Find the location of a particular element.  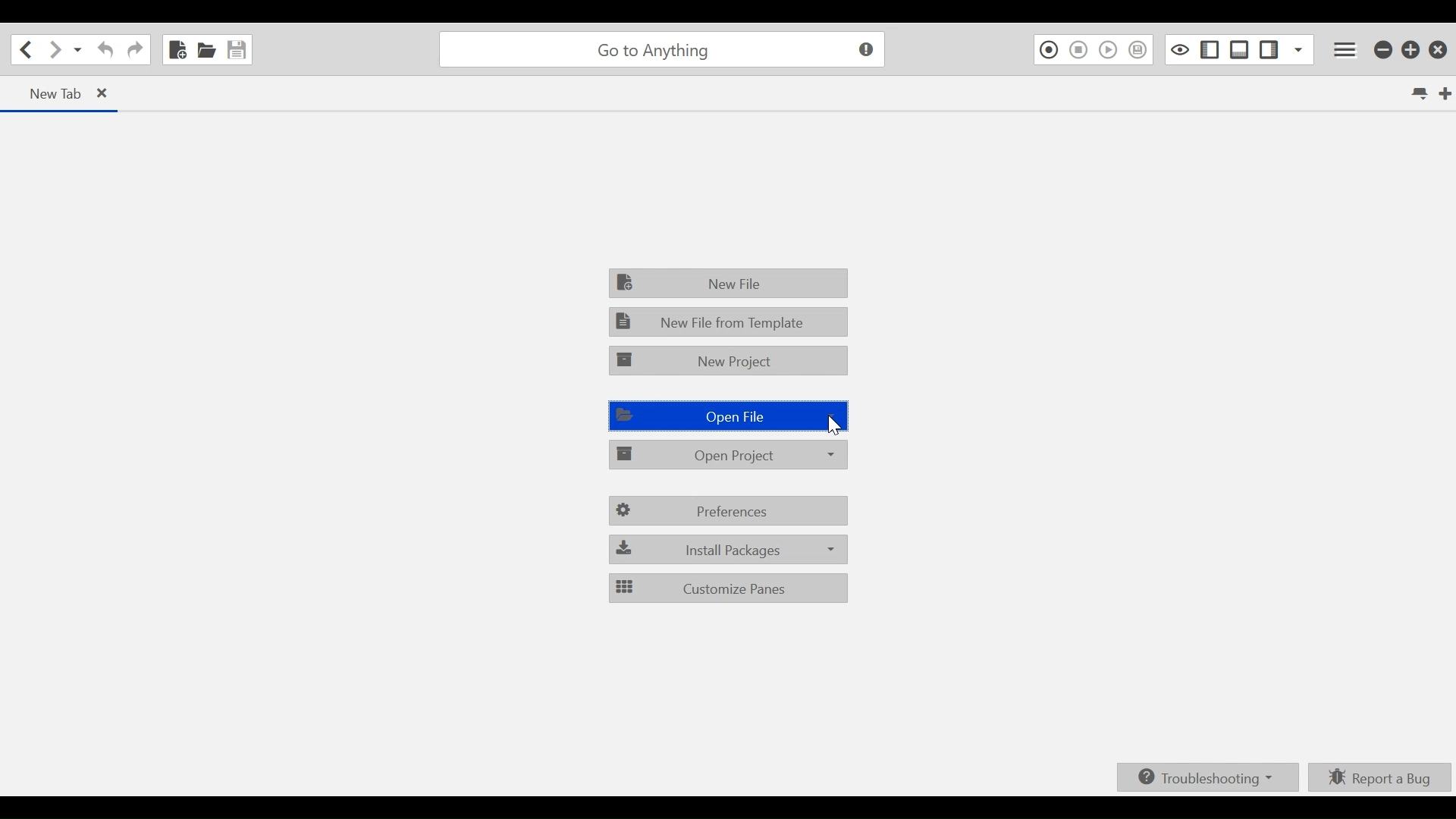

Play Last Macro is located at coordinates (1109, 50).